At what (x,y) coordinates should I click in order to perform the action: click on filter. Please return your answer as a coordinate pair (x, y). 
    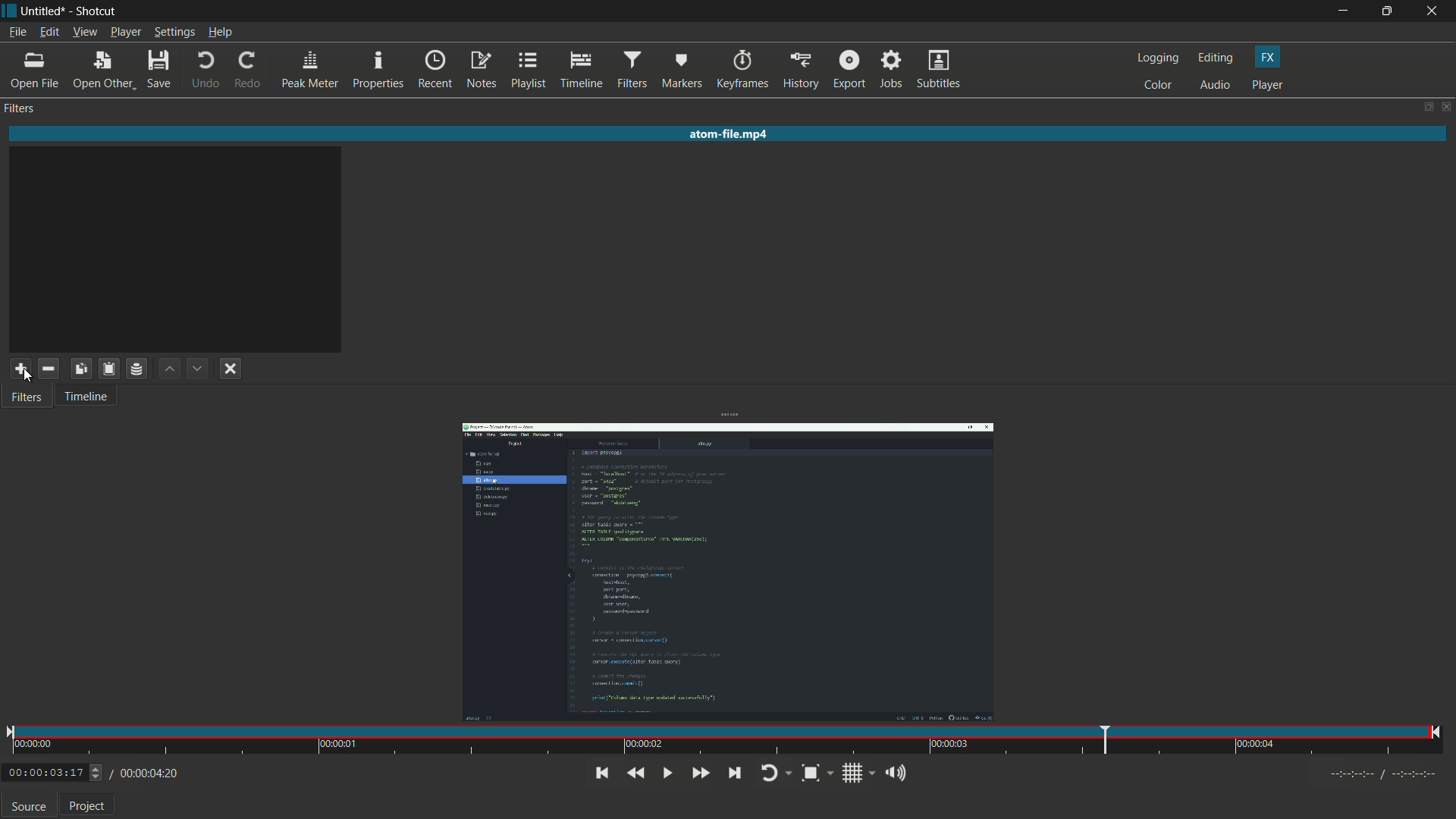
    Looking at the image, I should click on (20, 108).